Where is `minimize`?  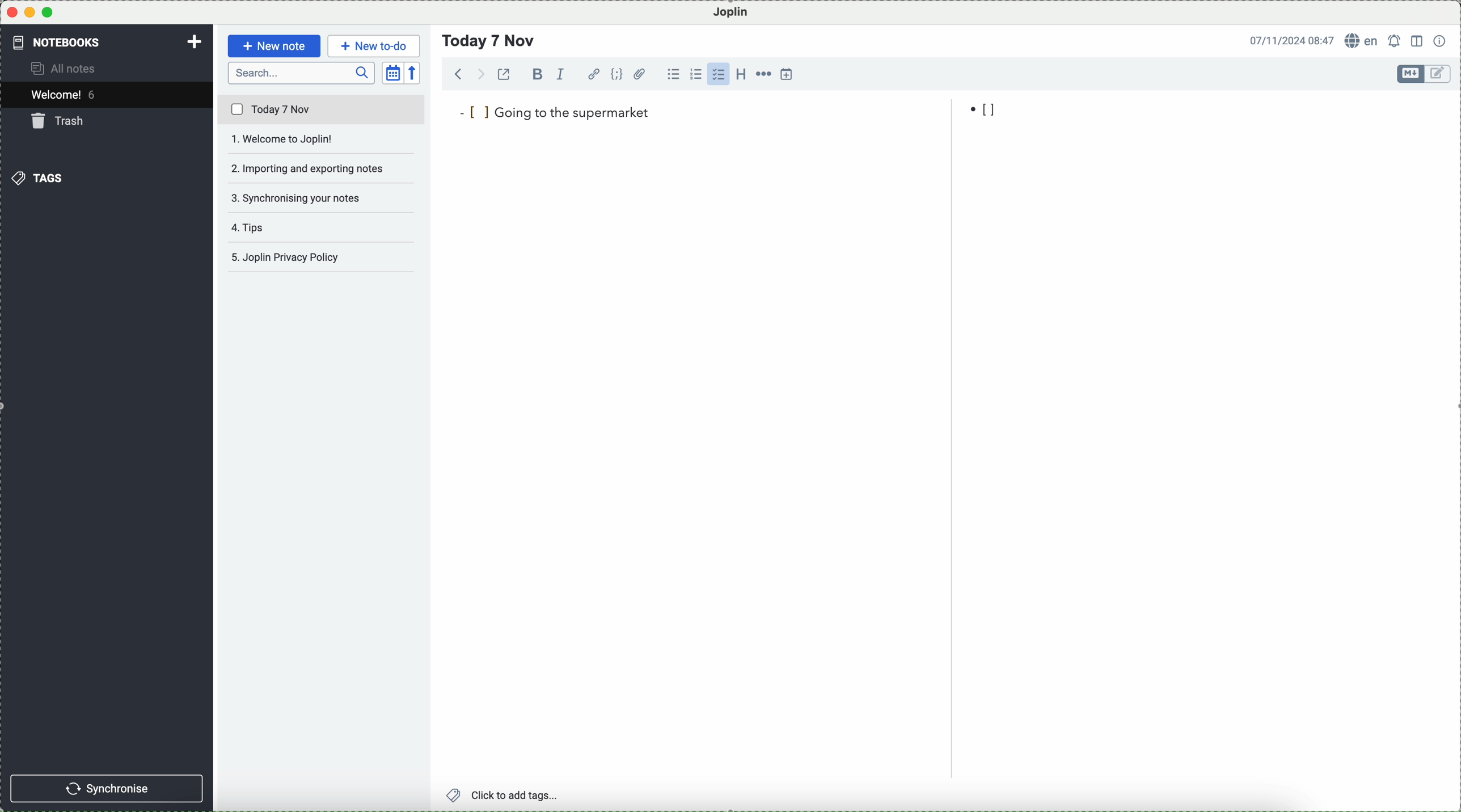
minimize is located at coordinates (31, 12).